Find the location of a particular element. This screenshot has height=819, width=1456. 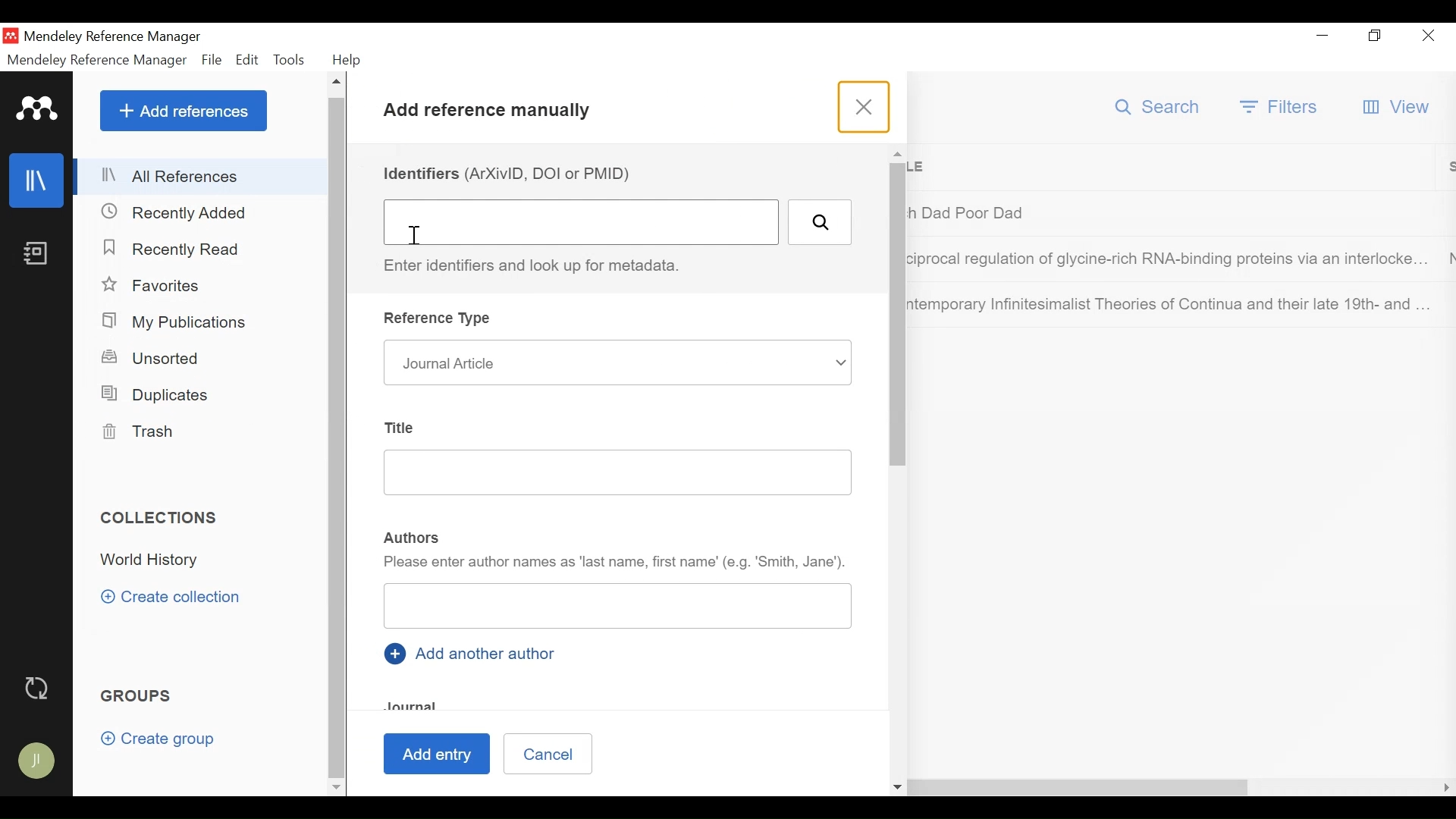

Enter identifiers and look up metadata is located at coordinates (540, 266).